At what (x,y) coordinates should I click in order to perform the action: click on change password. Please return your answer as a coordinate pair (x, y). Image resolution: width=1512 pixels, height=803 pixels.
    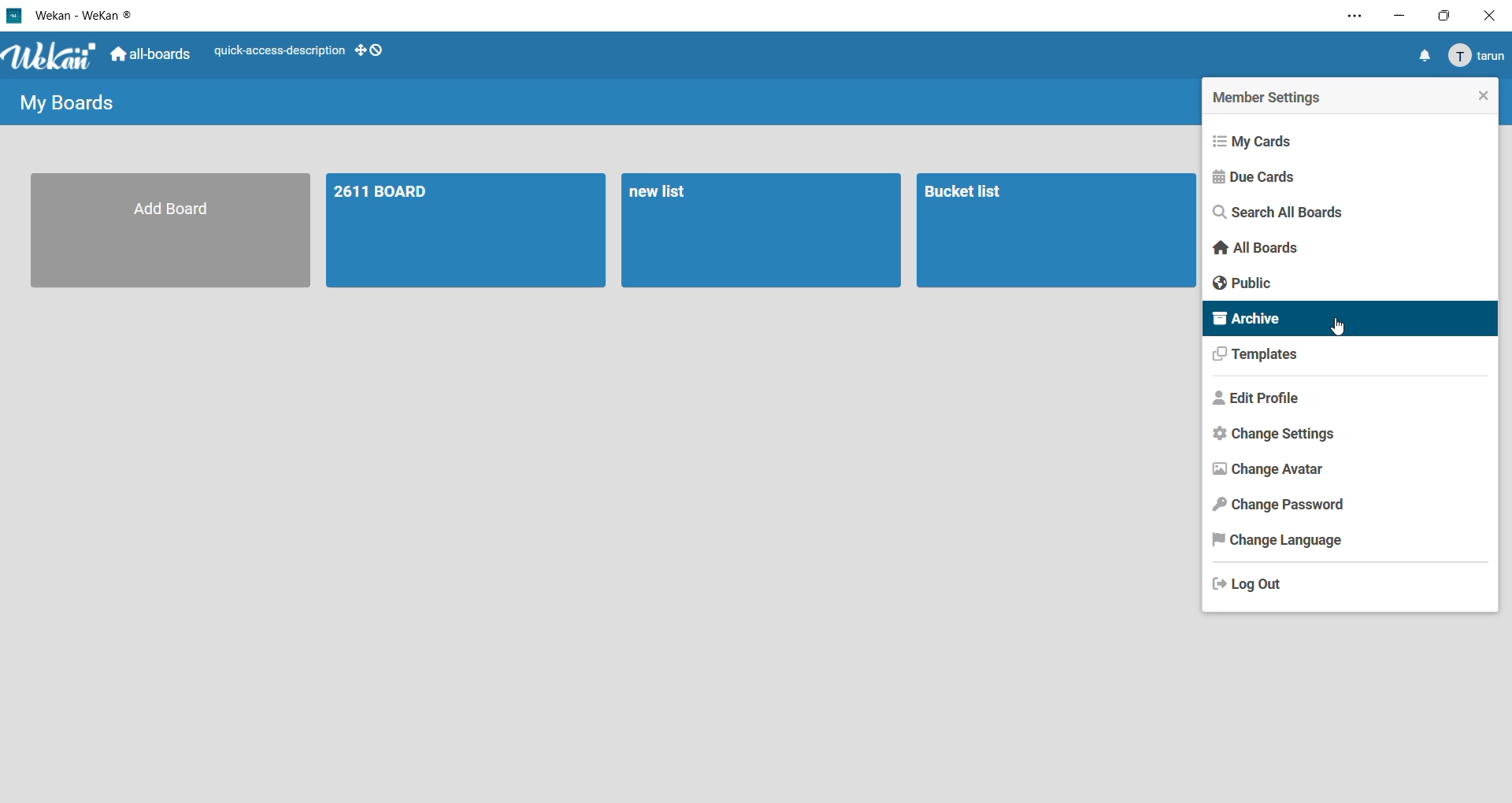
    Looking at the image, I should click on (1284, 505).